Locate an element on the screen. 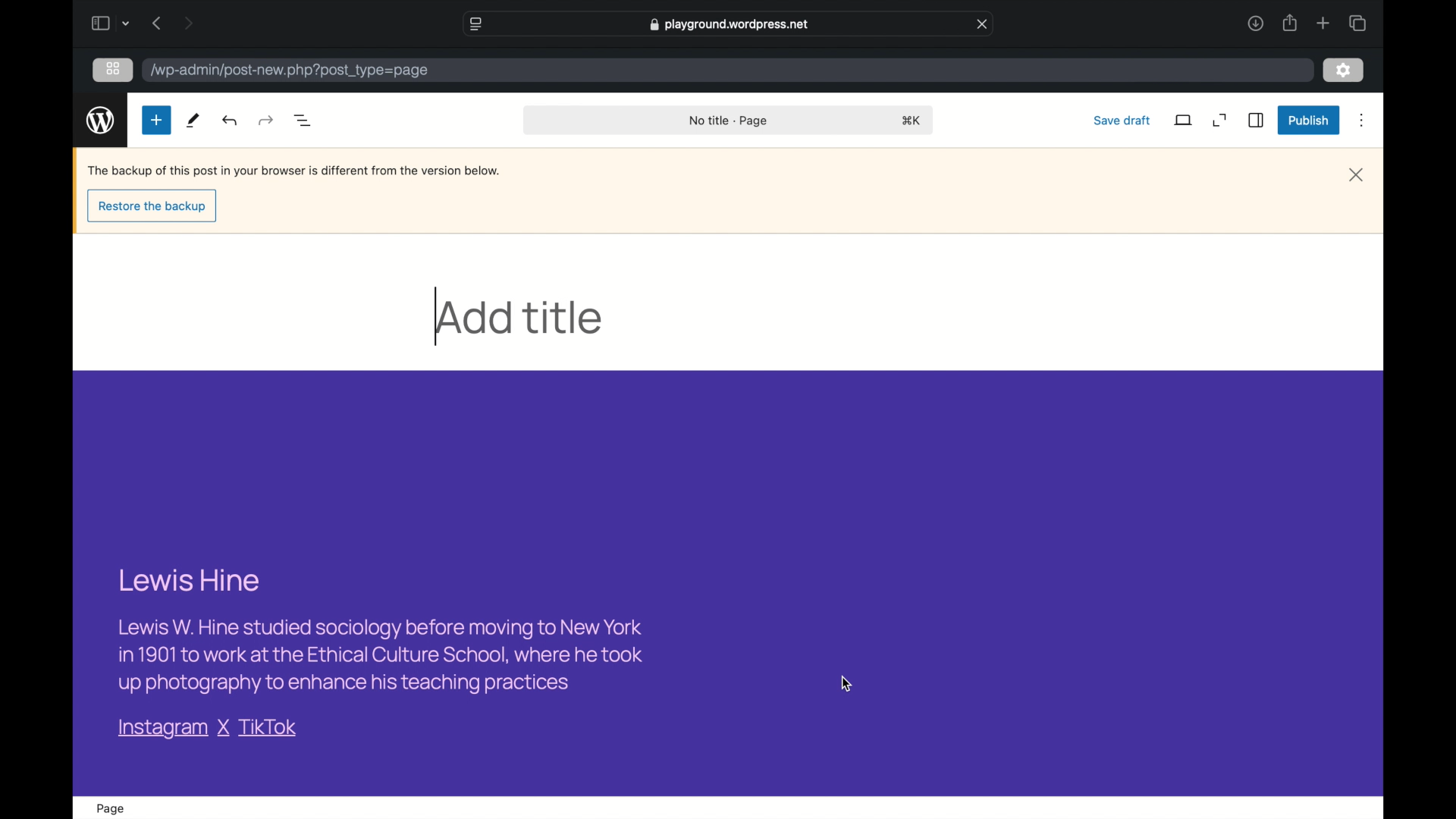  publish is located at coordinates (1310, 120).